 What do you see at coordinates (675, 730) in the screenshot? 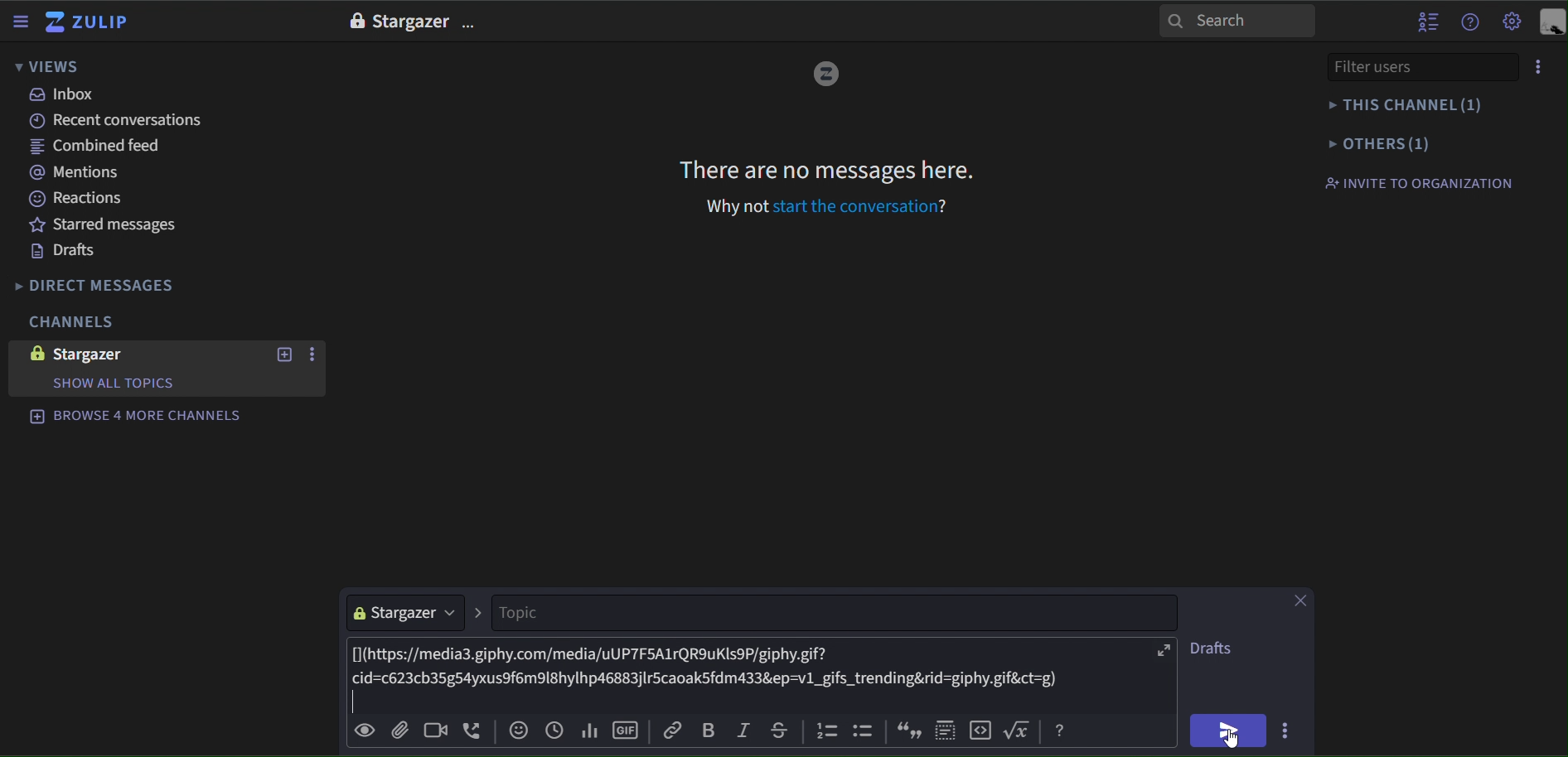
I see `link` at bounding box center [675, 730].